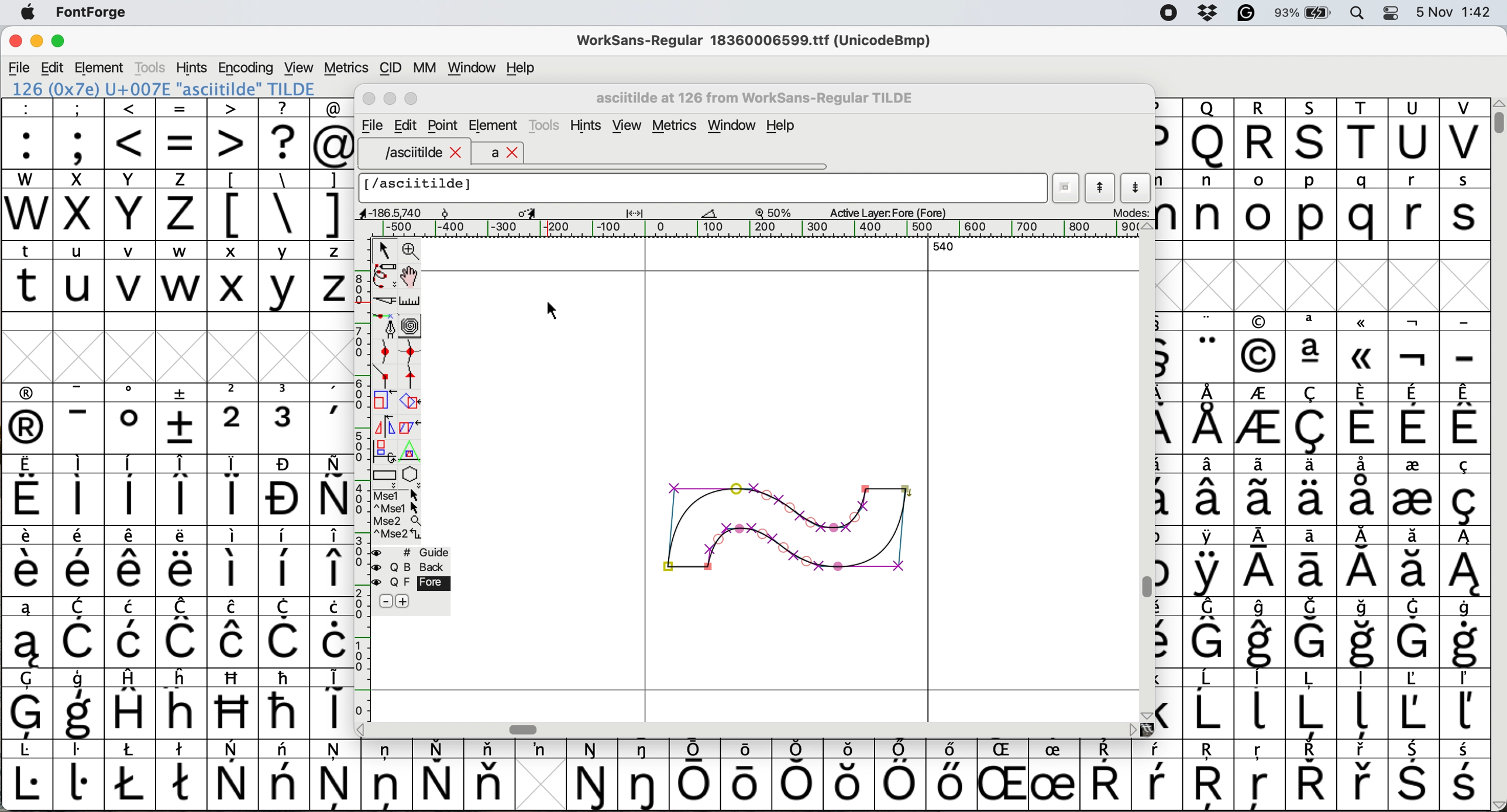  Describe the element at coordinates (391, 99) in the screenshot. I see `Minimise` at that location.